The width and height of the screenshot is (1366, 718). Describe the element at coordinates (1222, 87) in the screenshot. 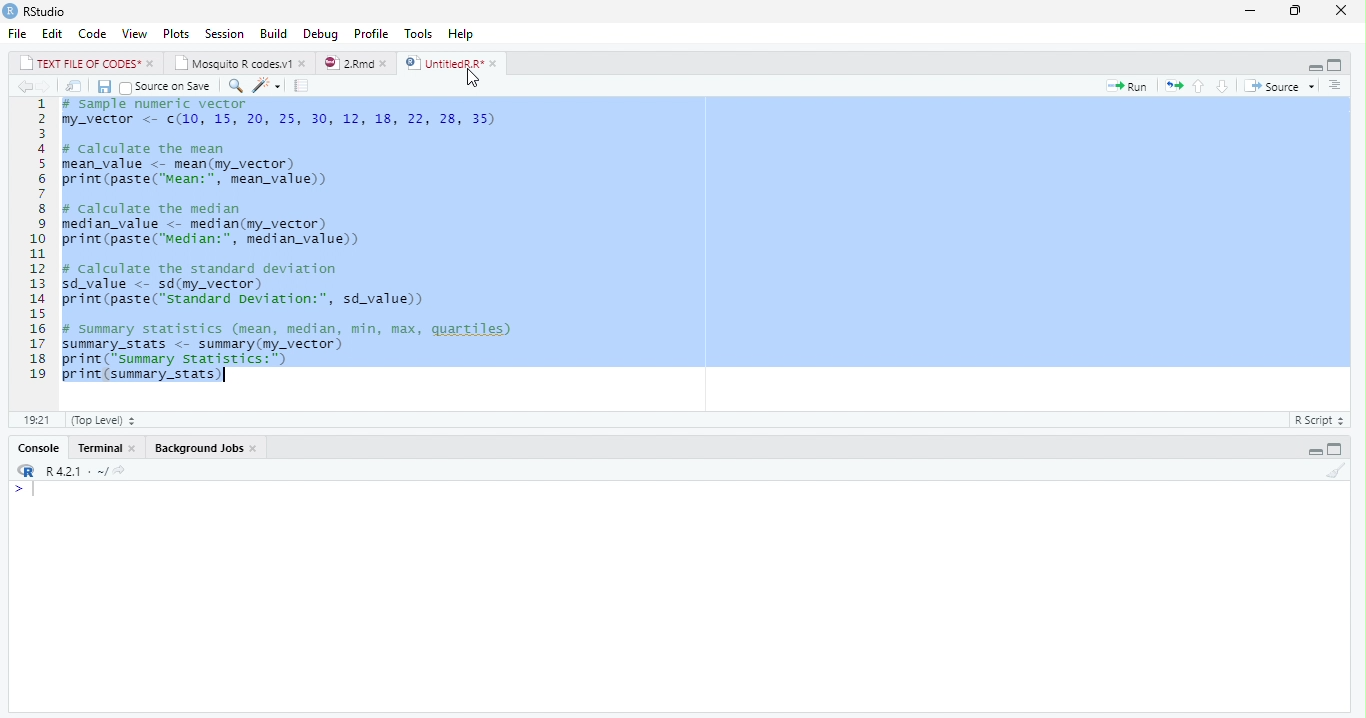

I see `next section` at that location.